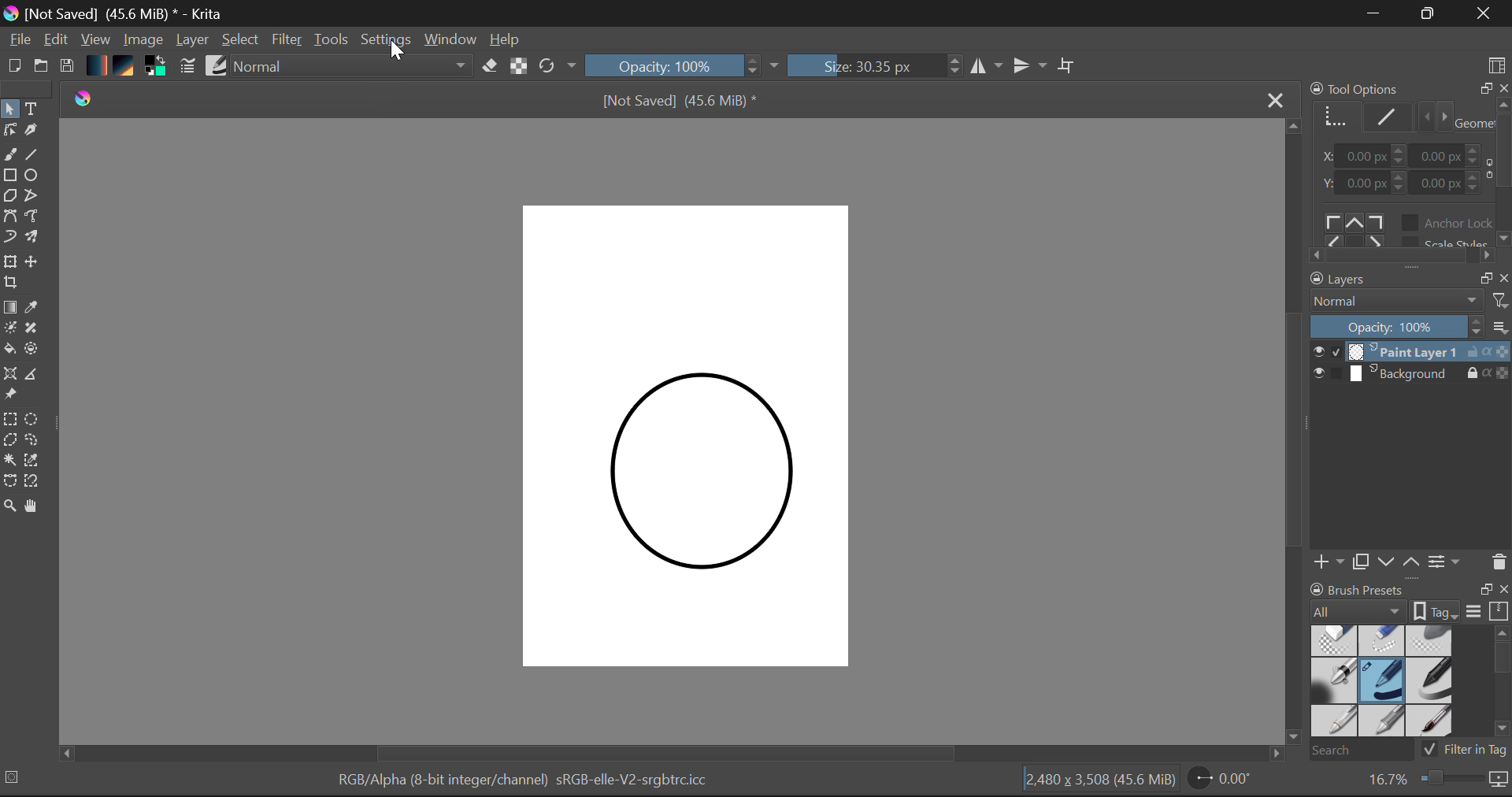  I want to click on Polygon Selection, so click(10, 441).